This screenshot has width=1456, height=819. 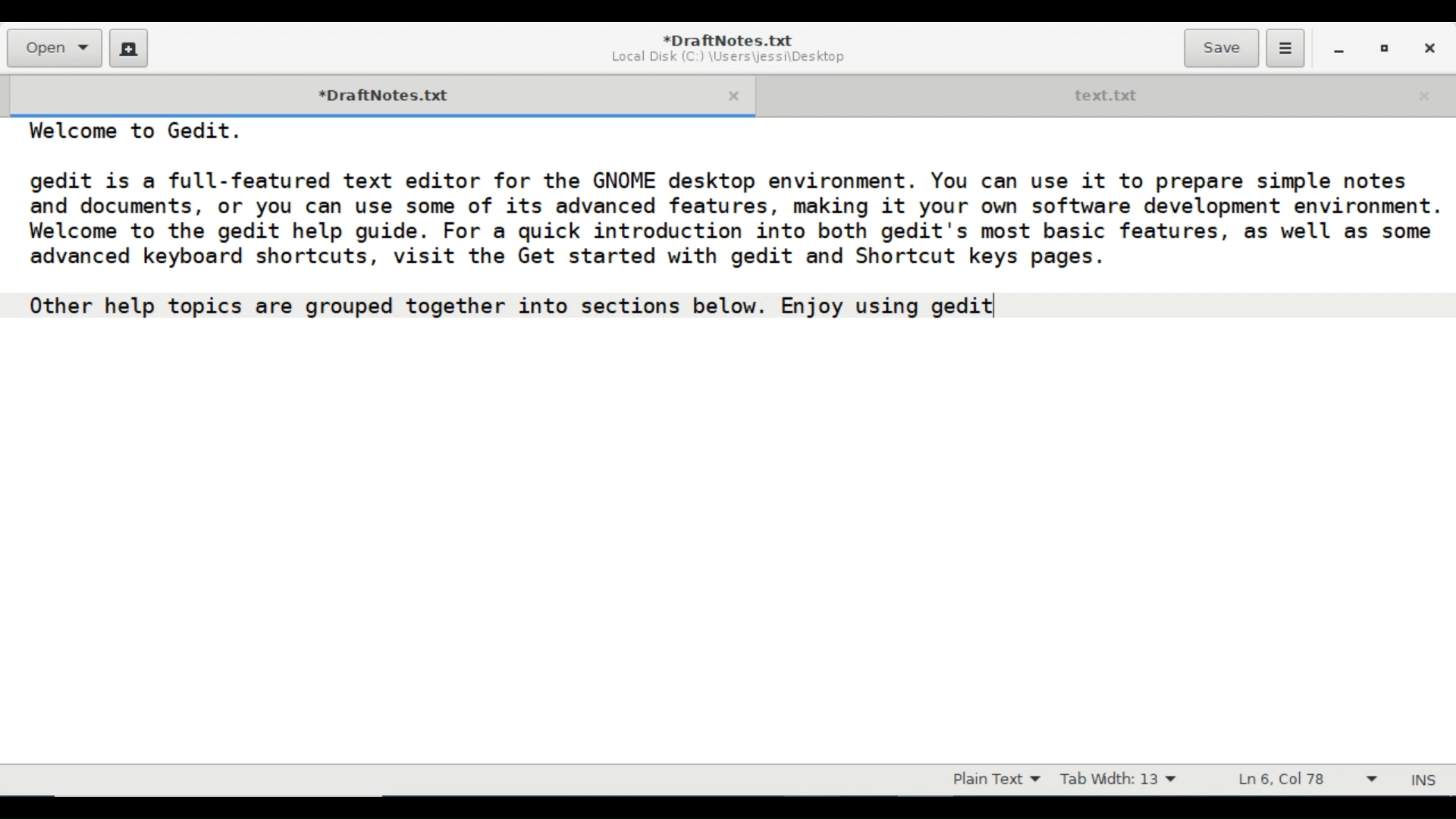 I want to click on Close, so click(x=1428, y=46).